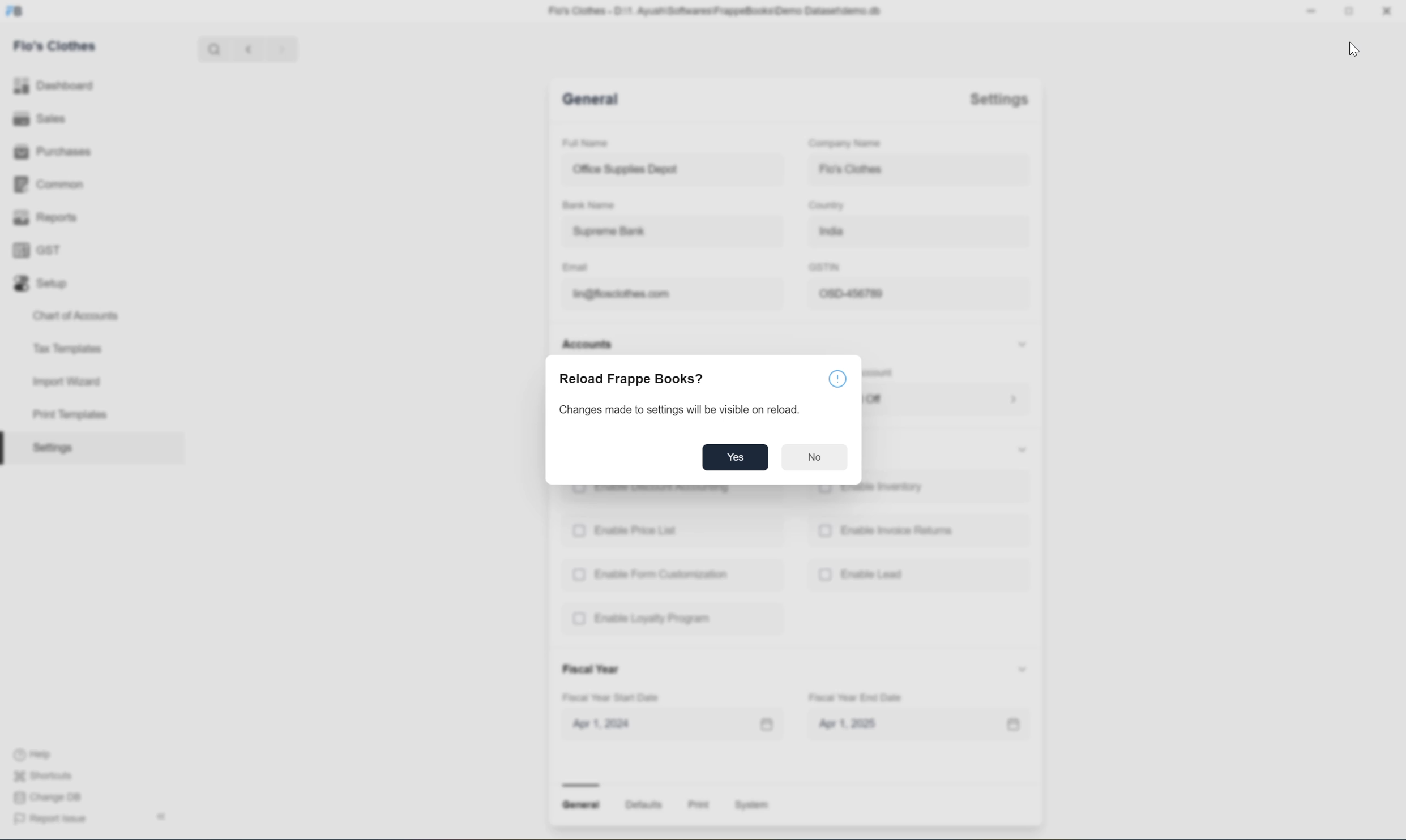 This screenshot has width=1406, height=840. What do you see at coordinates (837, 378) in the screenshot?
I see `more information` at bounding box center [837, 378].